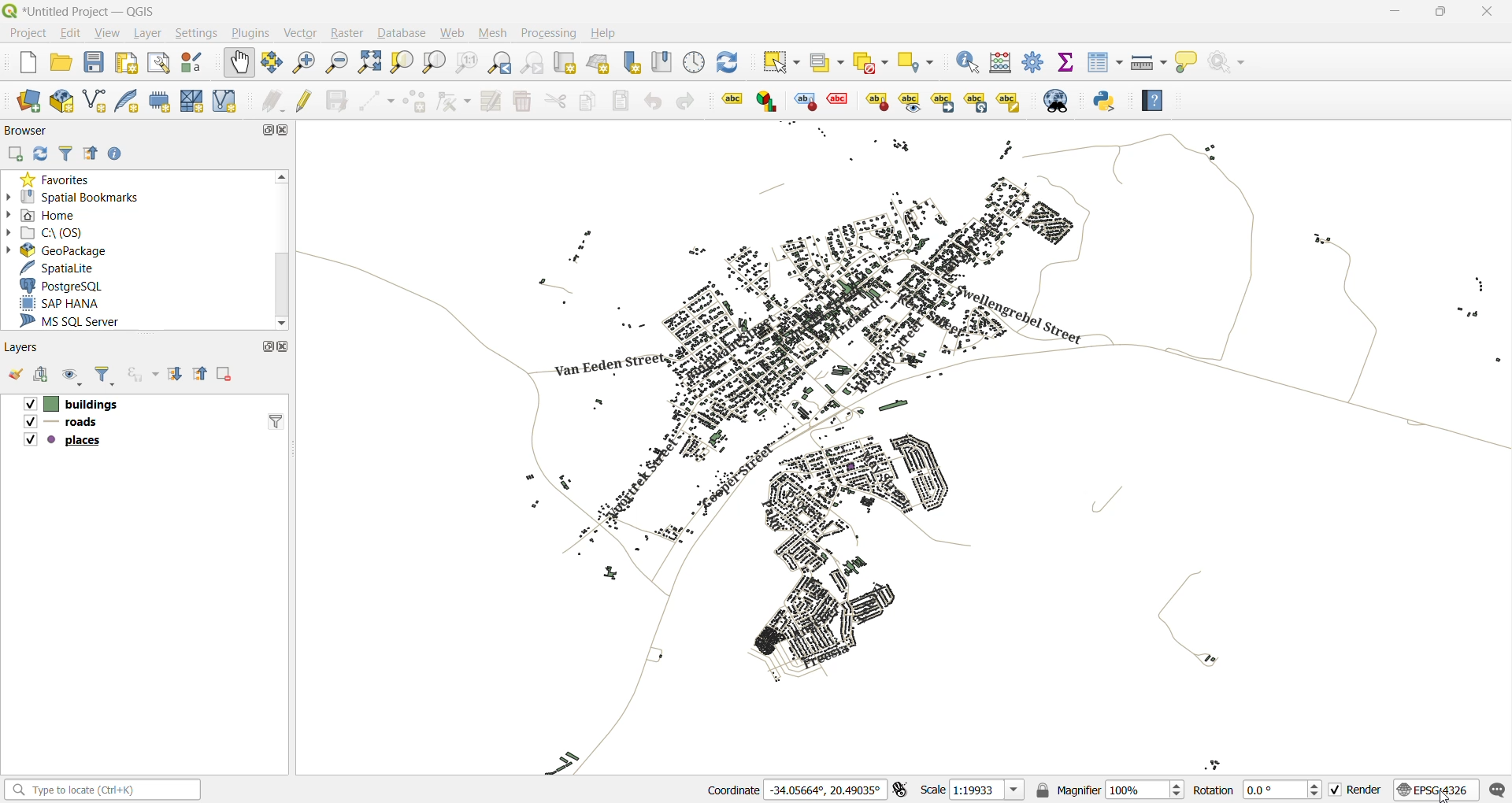 Image resolution: width=1512 pixels, height=803 pixels. What do you see at coordinates (1152, 98) in the screenshot?
I see `help` at bounding box center [1152, 98].